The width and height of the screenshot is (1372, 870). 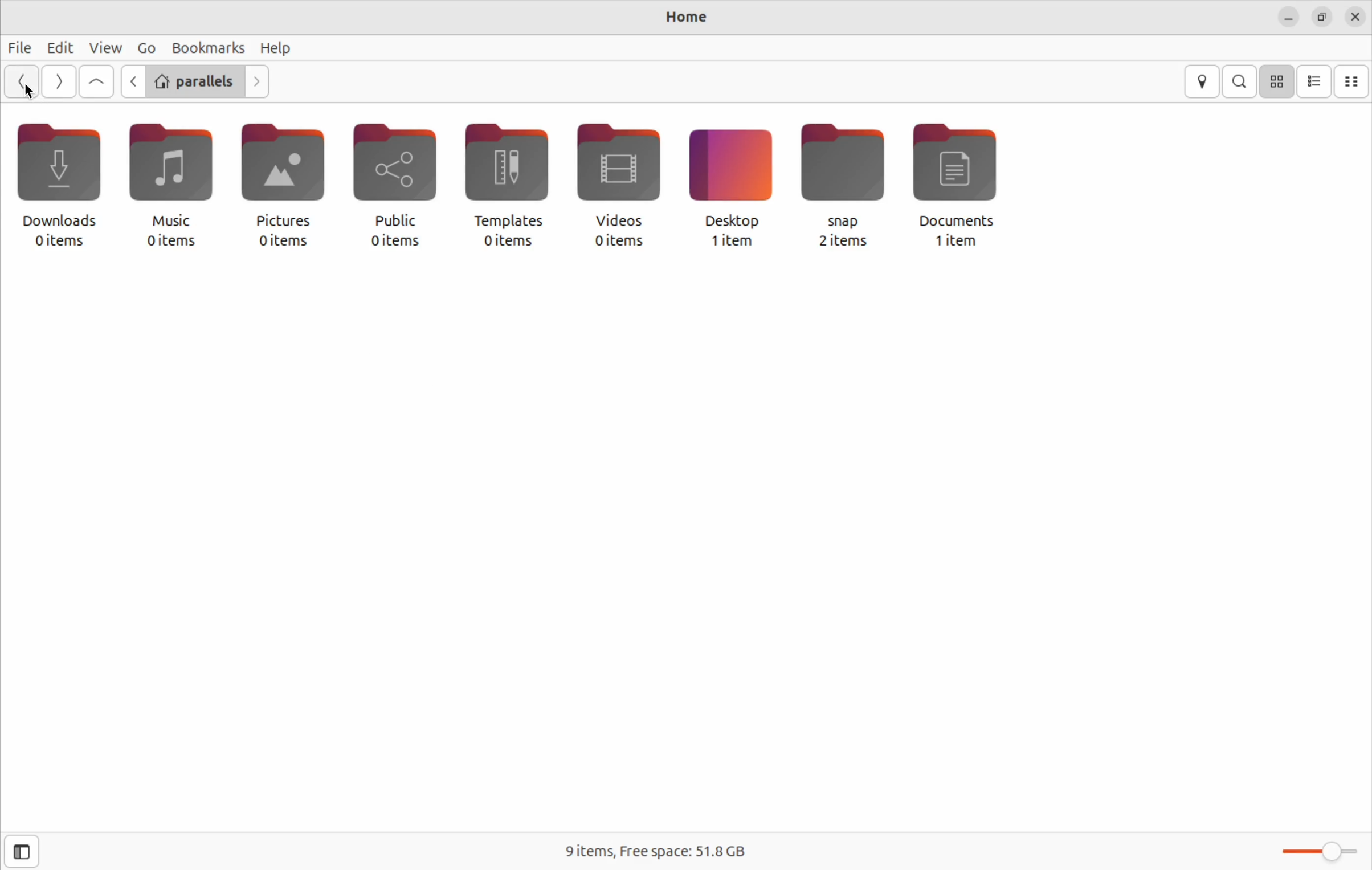 I want to click on open sidebar, so click(x=20, y=851).